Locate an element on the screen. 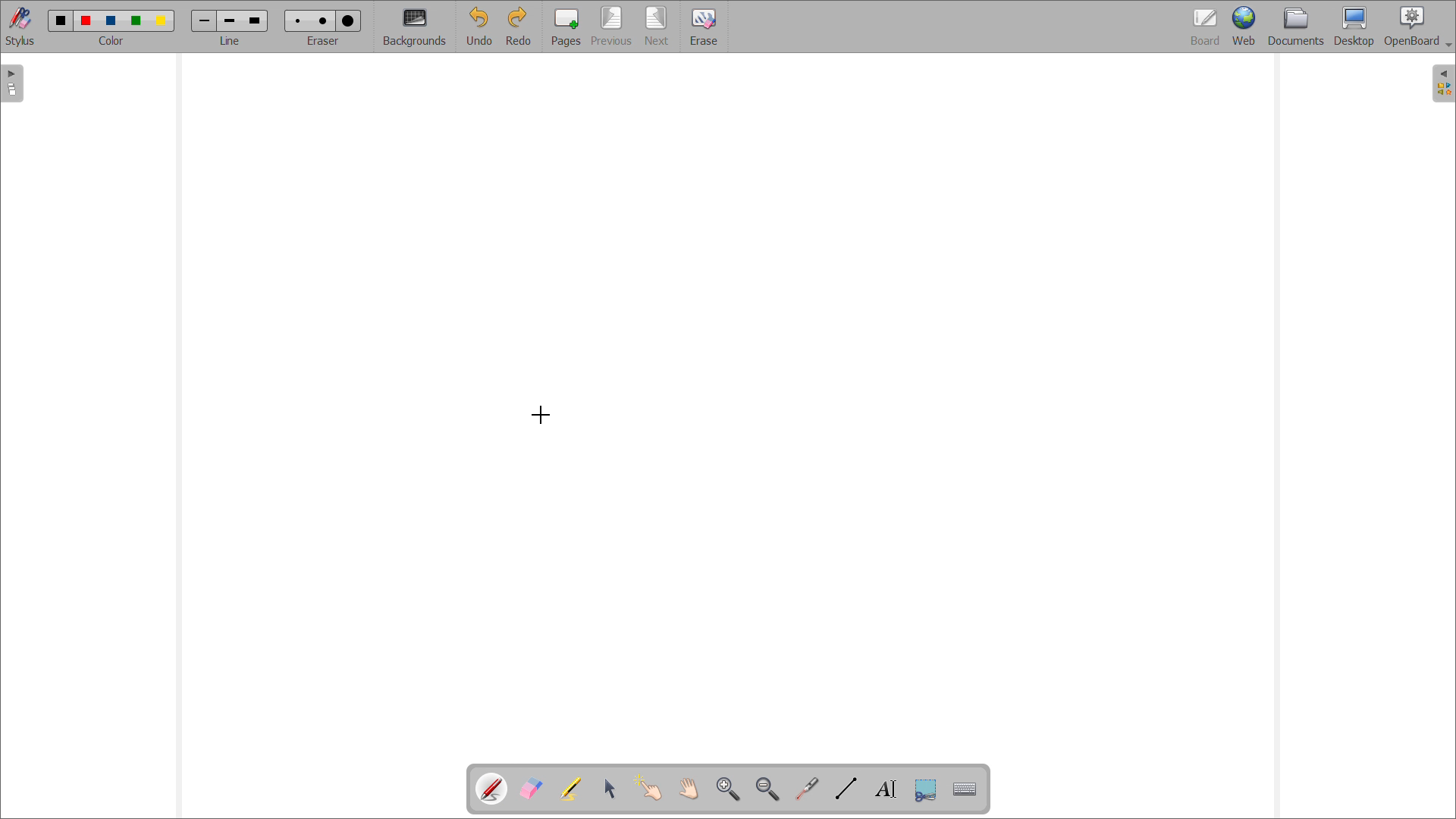 The image size is (1456, 819). desktop is located at coordinates (1354, 27).